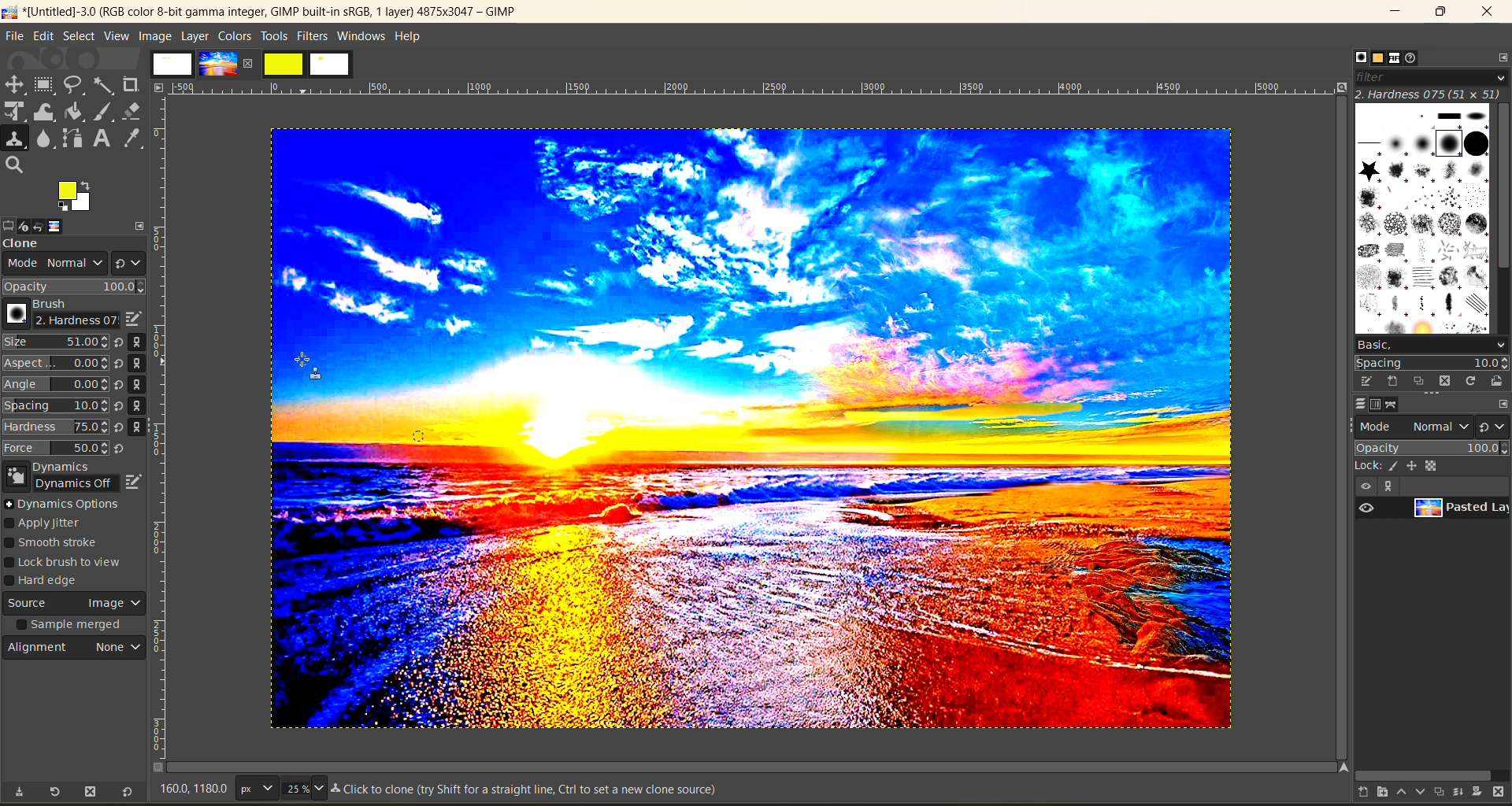  Describe the element at coordinates (332, 65) in the screenshot. I see `white` at that location.